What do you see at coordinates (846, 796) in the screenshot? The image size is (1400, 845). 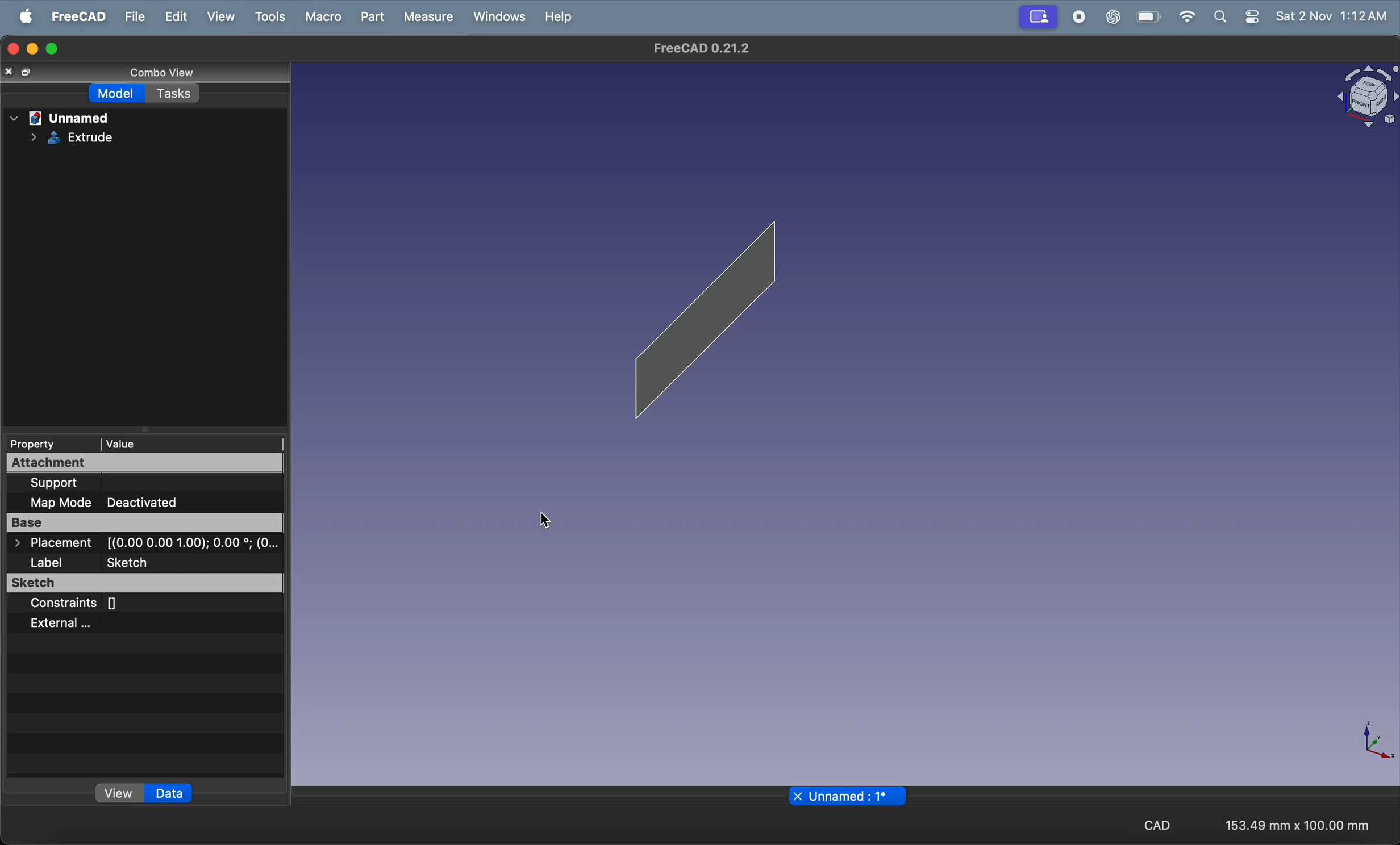 I see `unnamed` at bounding box center [846, 796].